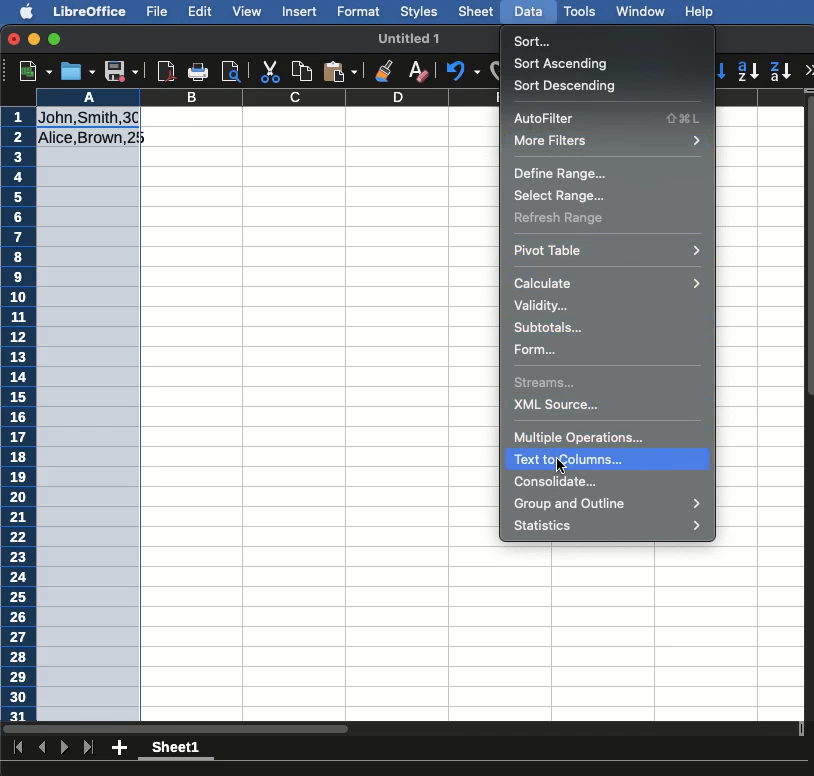 This screenshot has width=814, height=776. I want to click on Print, so click(197, 69).